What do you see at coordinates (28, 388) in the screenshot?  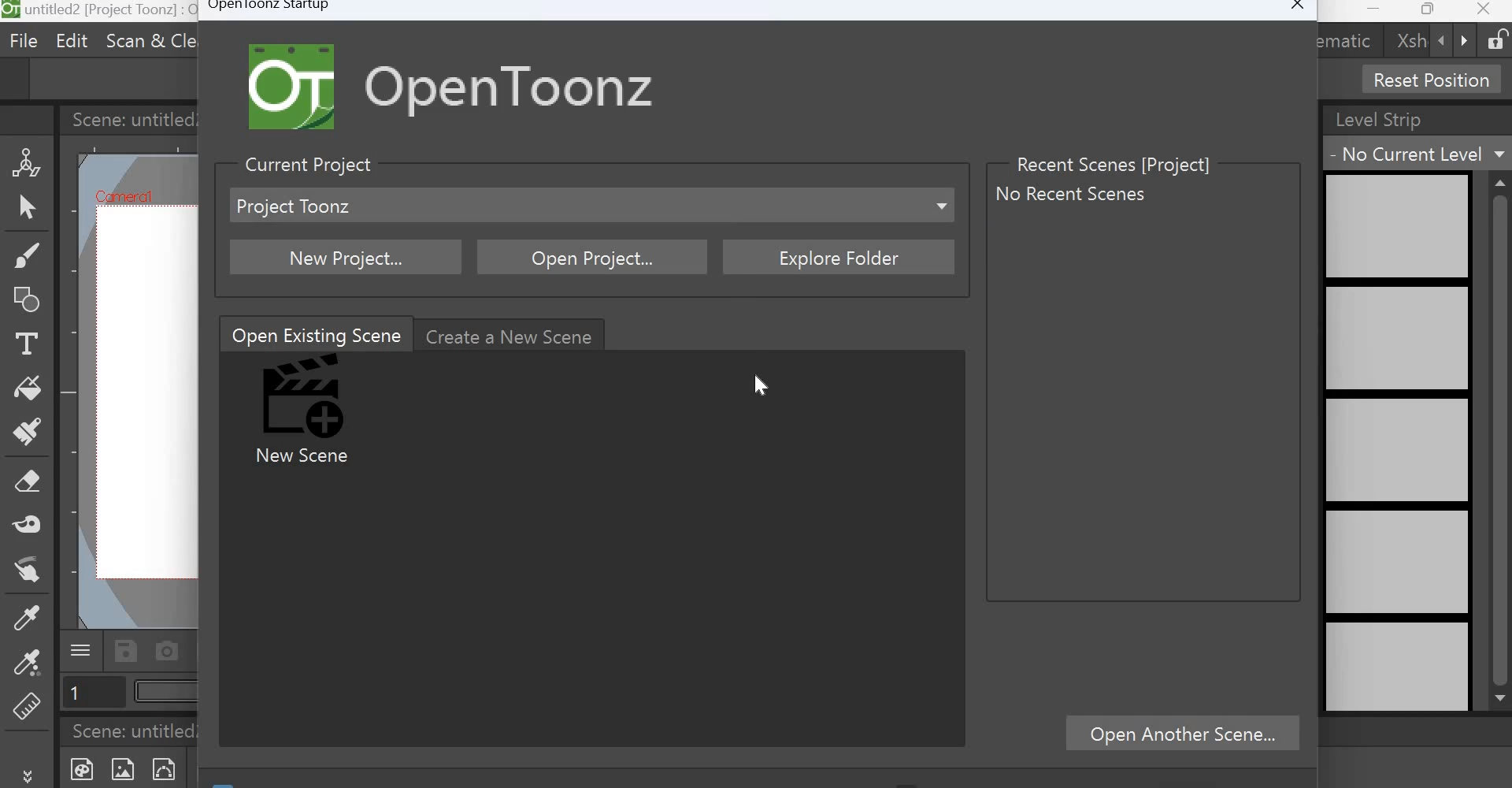 I see `Fill tool` at bounding box center [28, 388].